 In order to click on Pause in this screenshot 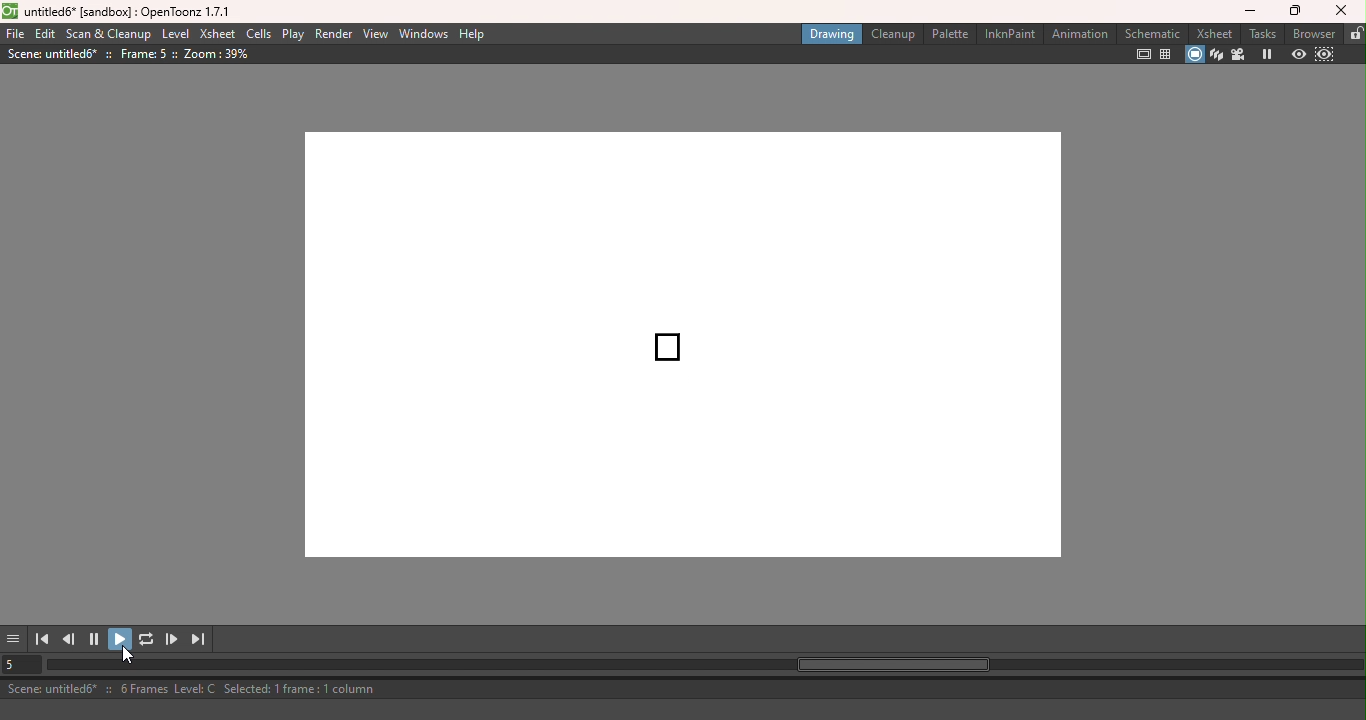, I will do `click(96, 640)`.